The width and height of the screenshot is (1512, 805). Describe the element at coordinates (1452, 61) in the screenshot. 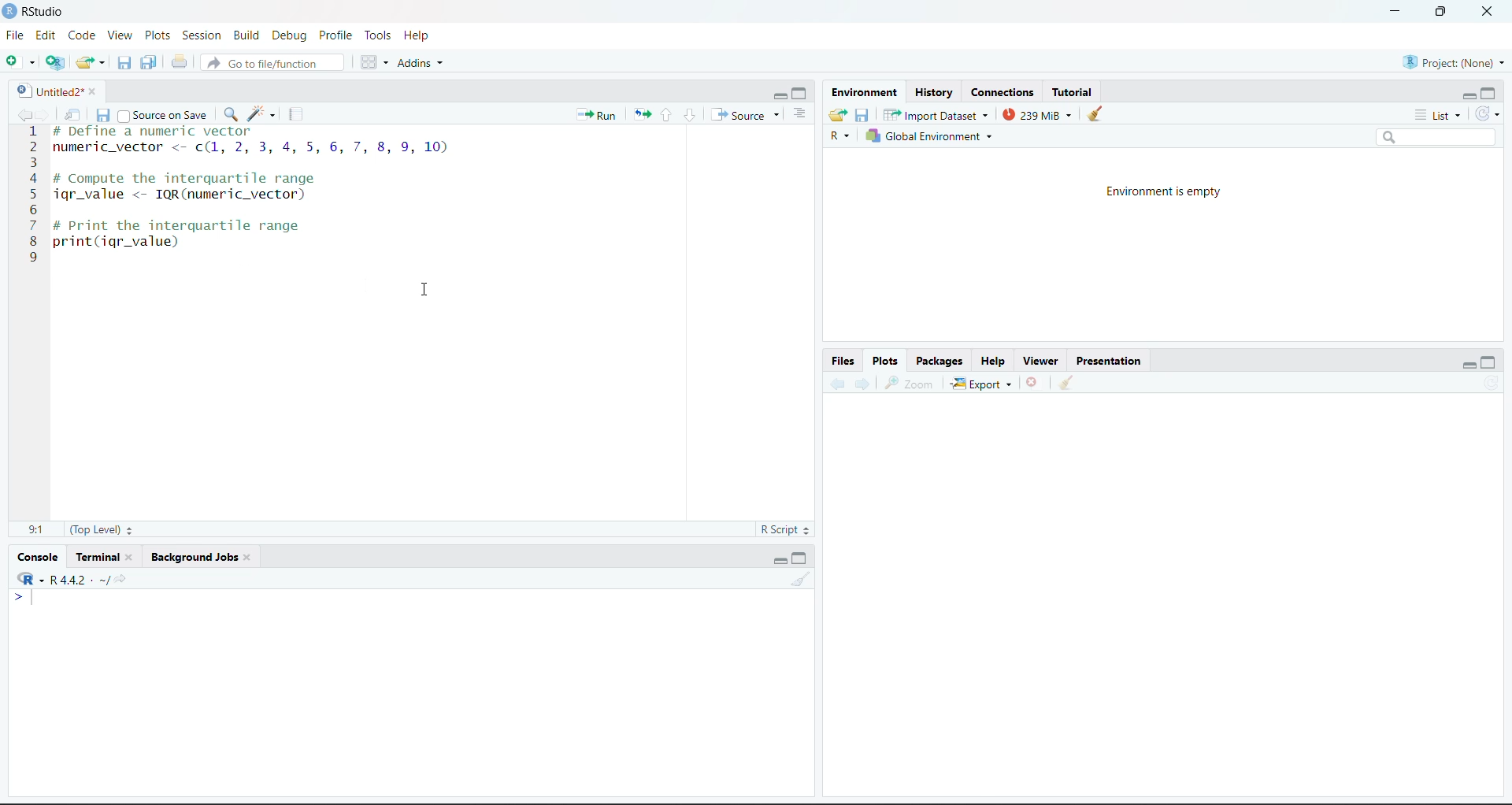

I see `Project (Note)` at that location.